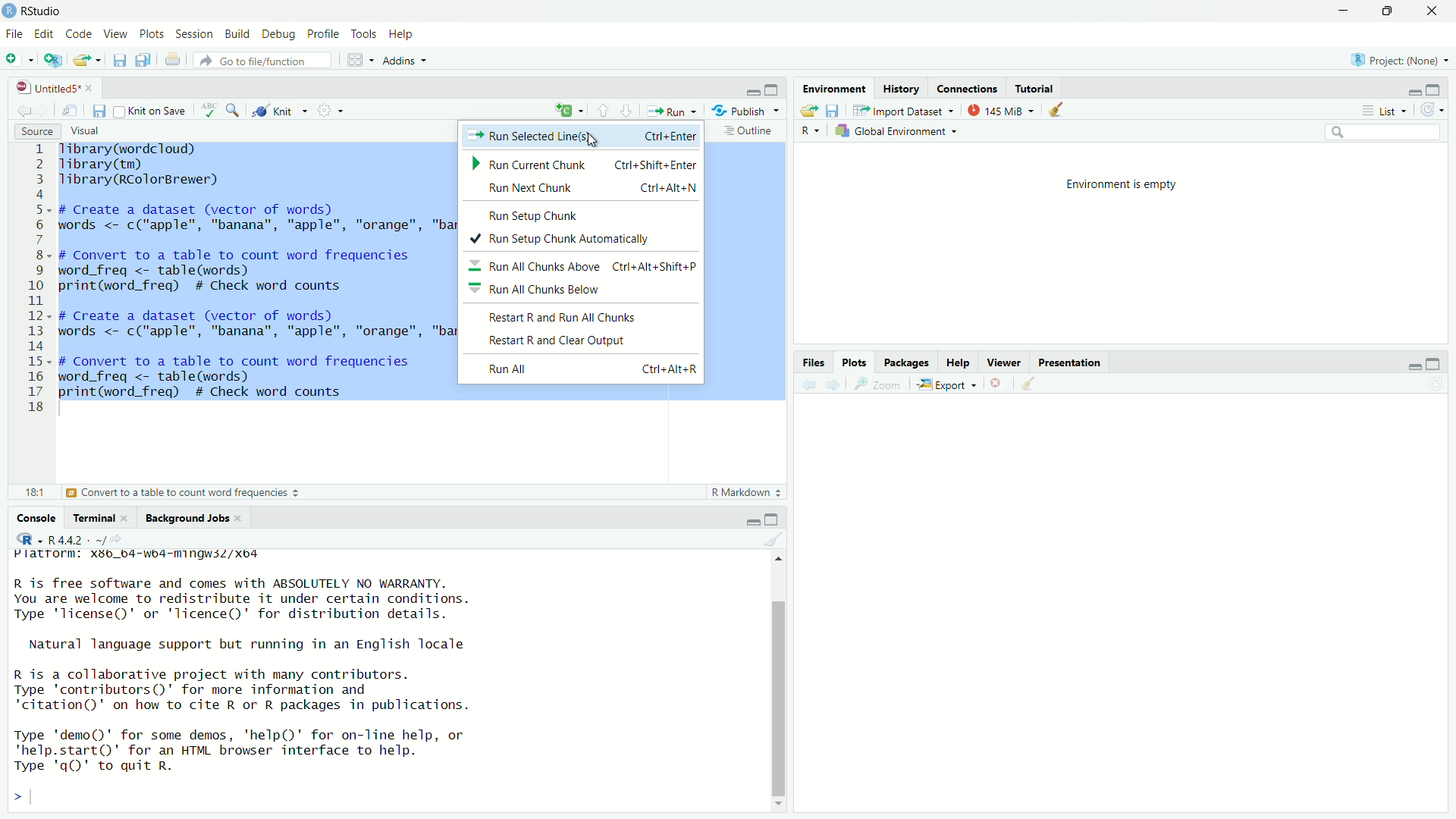  Describe the element at coordinates (238, 34) in the screenshot. I see `Build` at that location.